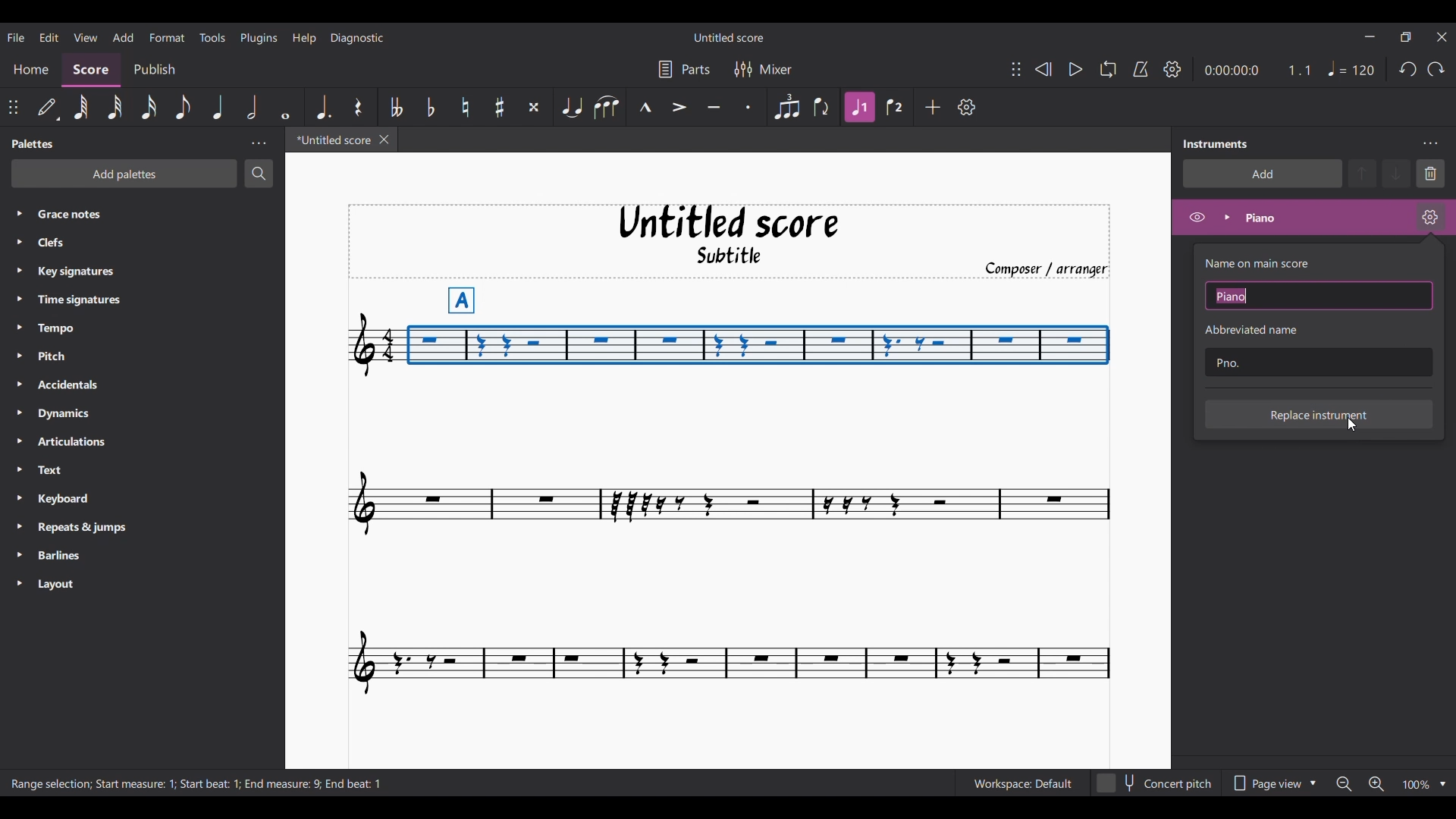  Describe the element at coordinates (1407, 69) in the screenshot. I see `Undo` at that location.